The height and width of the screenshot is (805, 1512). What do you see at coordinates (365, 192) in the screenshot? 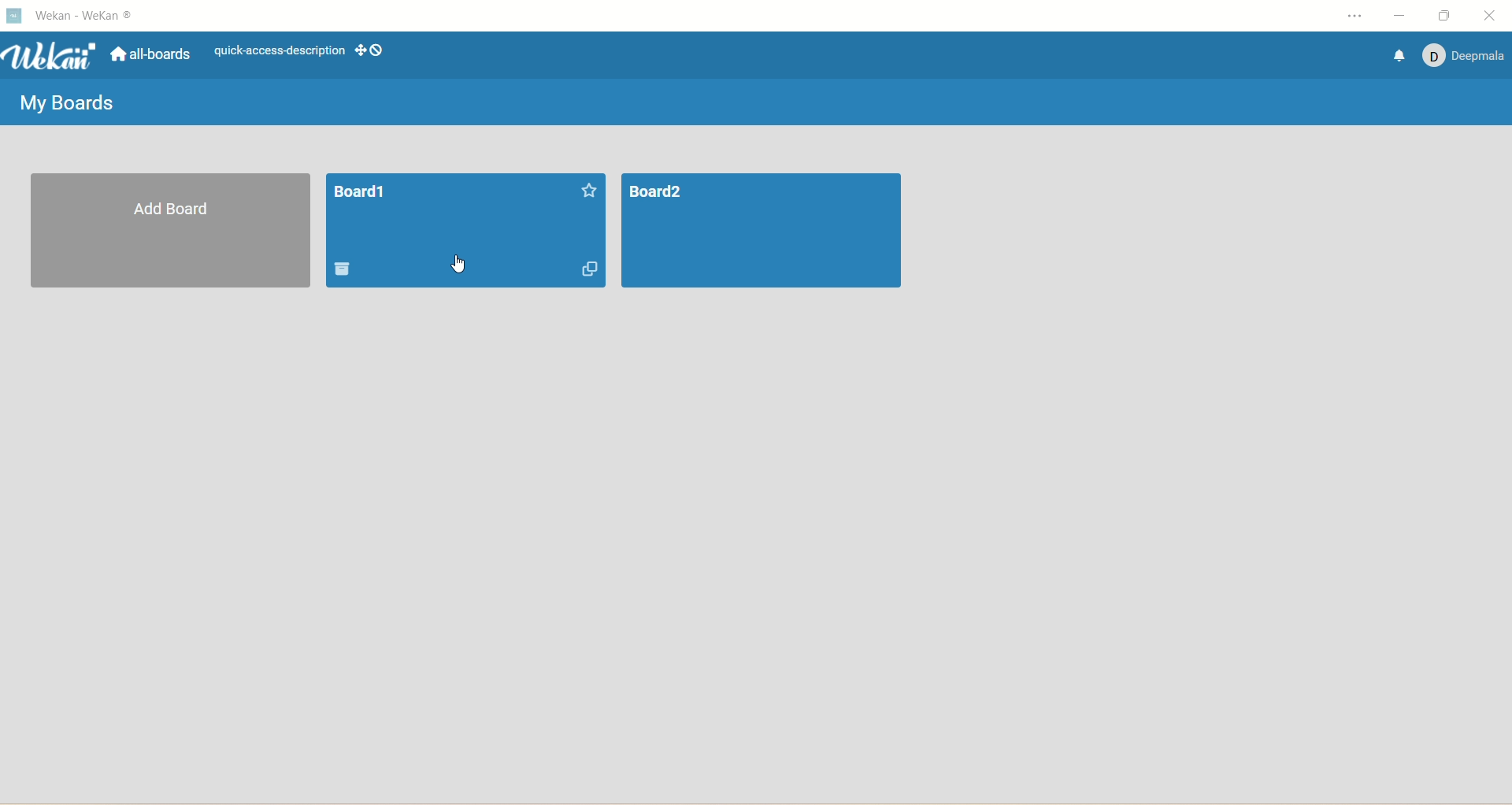
I see `board1` at bounding box center [365, 192].